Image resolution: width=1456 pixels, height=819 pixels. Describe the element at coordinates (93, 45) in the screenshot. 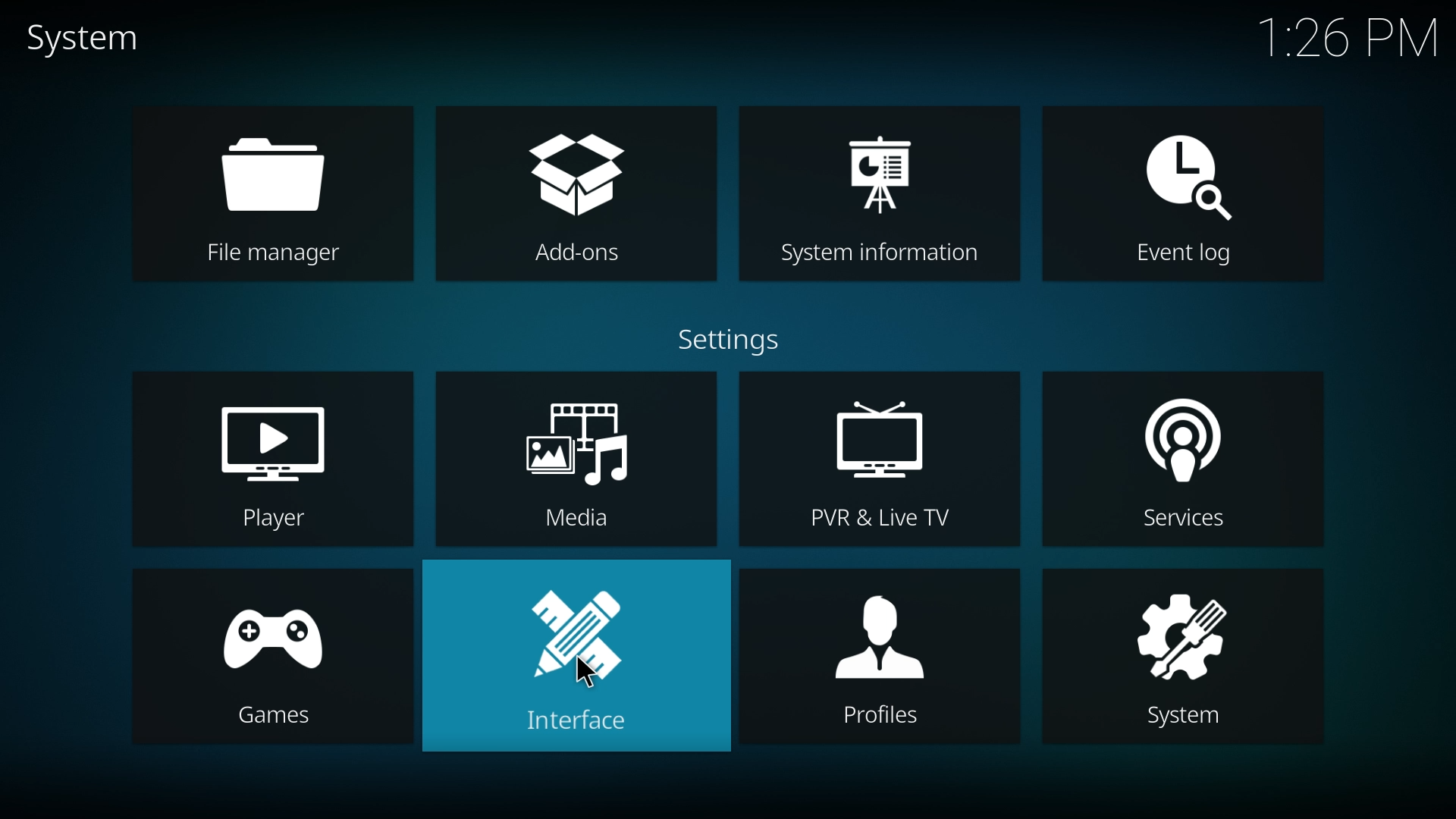

I see `system` at that location.